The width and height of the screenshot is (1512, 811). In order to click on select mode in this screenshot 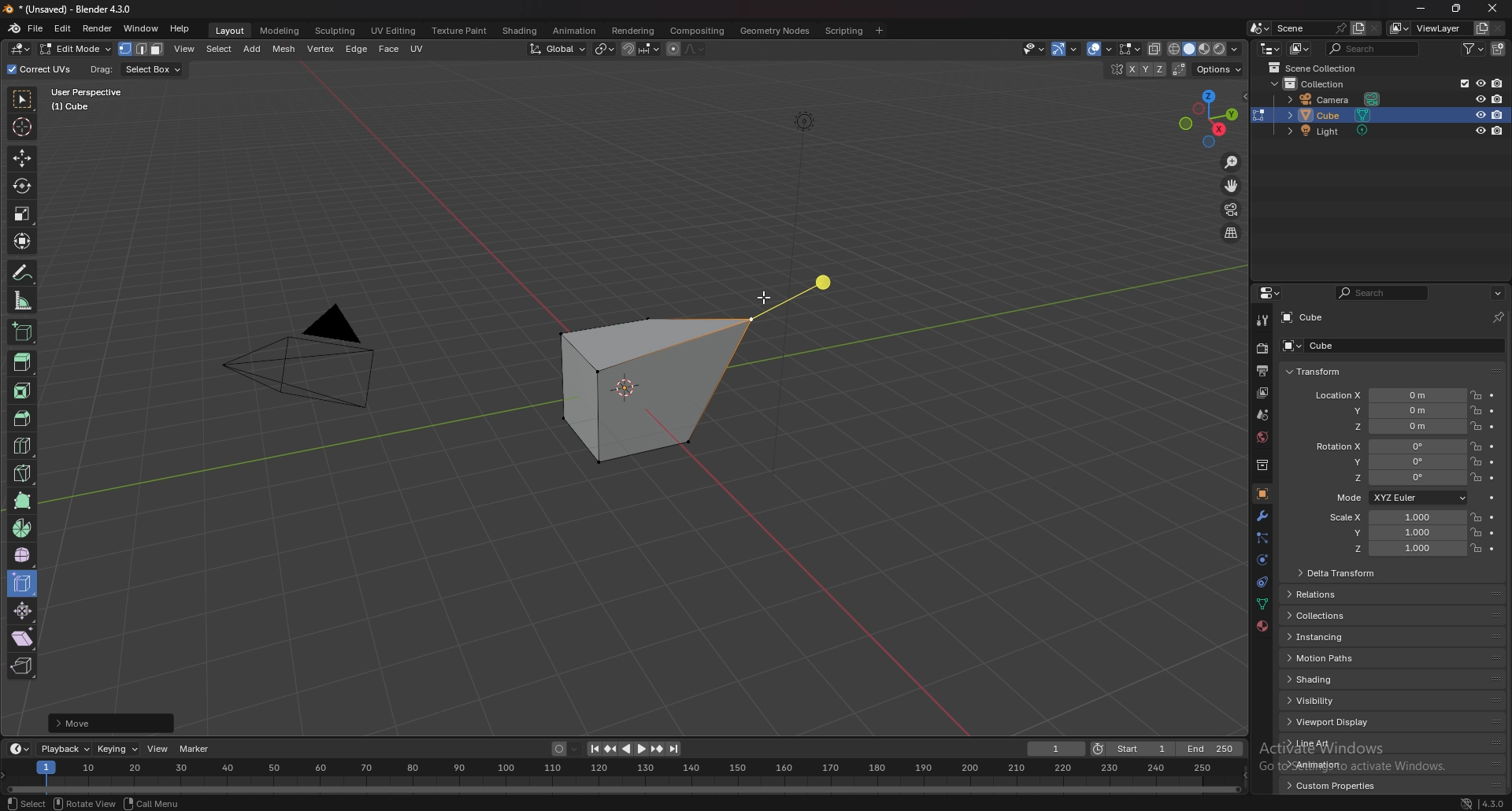, I will do `click(142, 50)`.